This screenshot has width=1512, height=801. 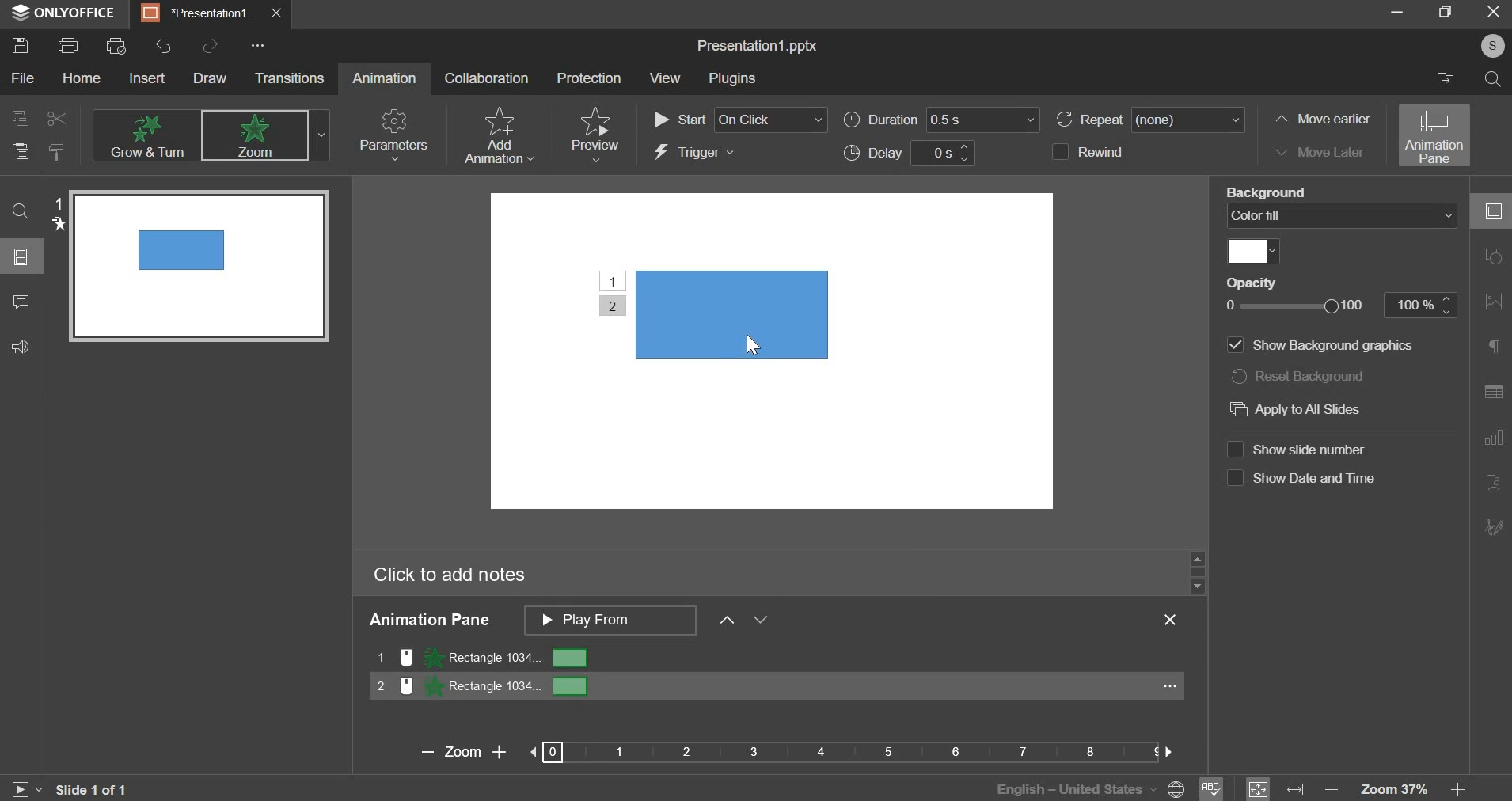 I want to click on Protection, so click(x=590, y=78).